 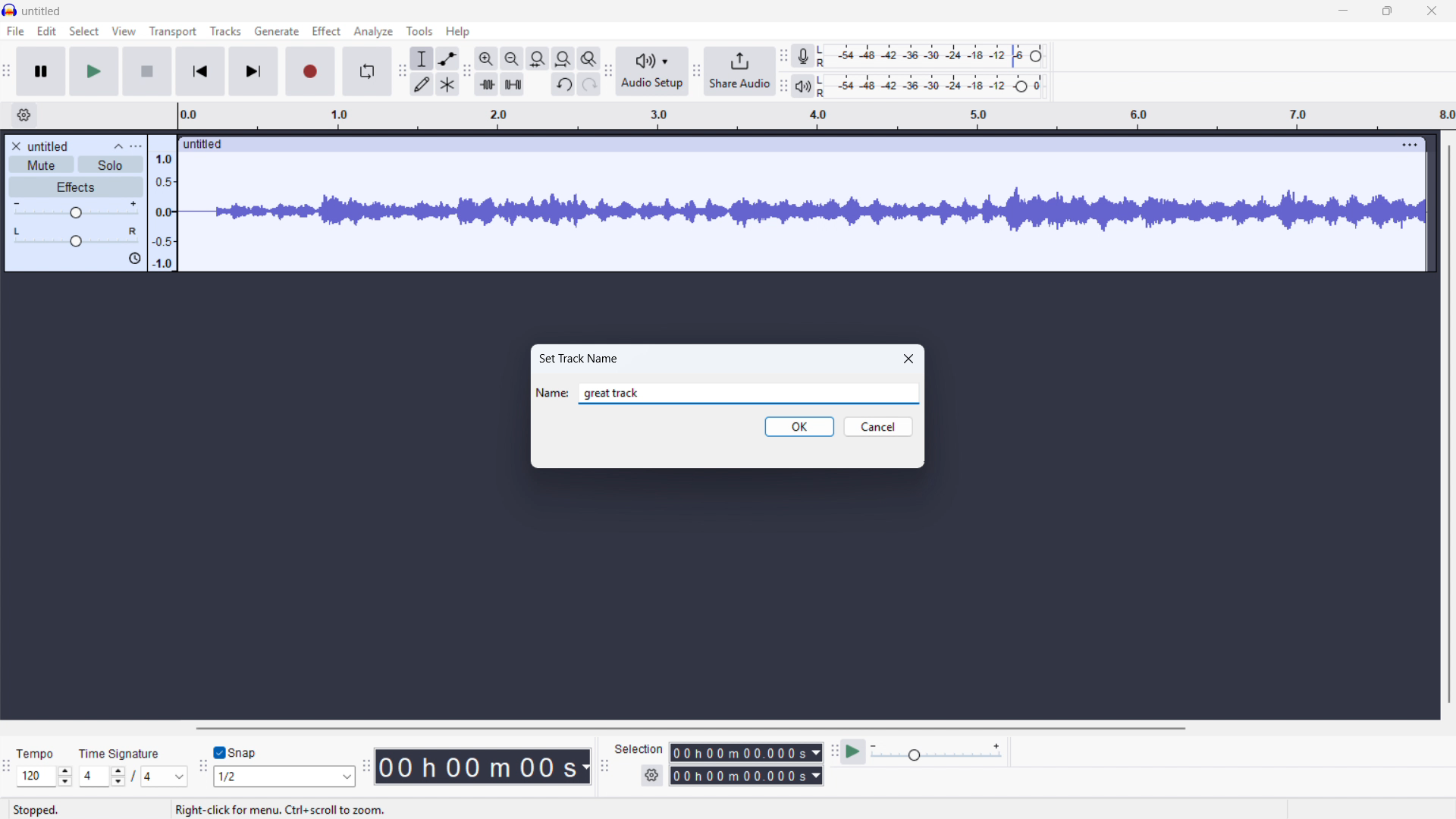 I want to click on Track control panel menu , so click(x=136, y=146).